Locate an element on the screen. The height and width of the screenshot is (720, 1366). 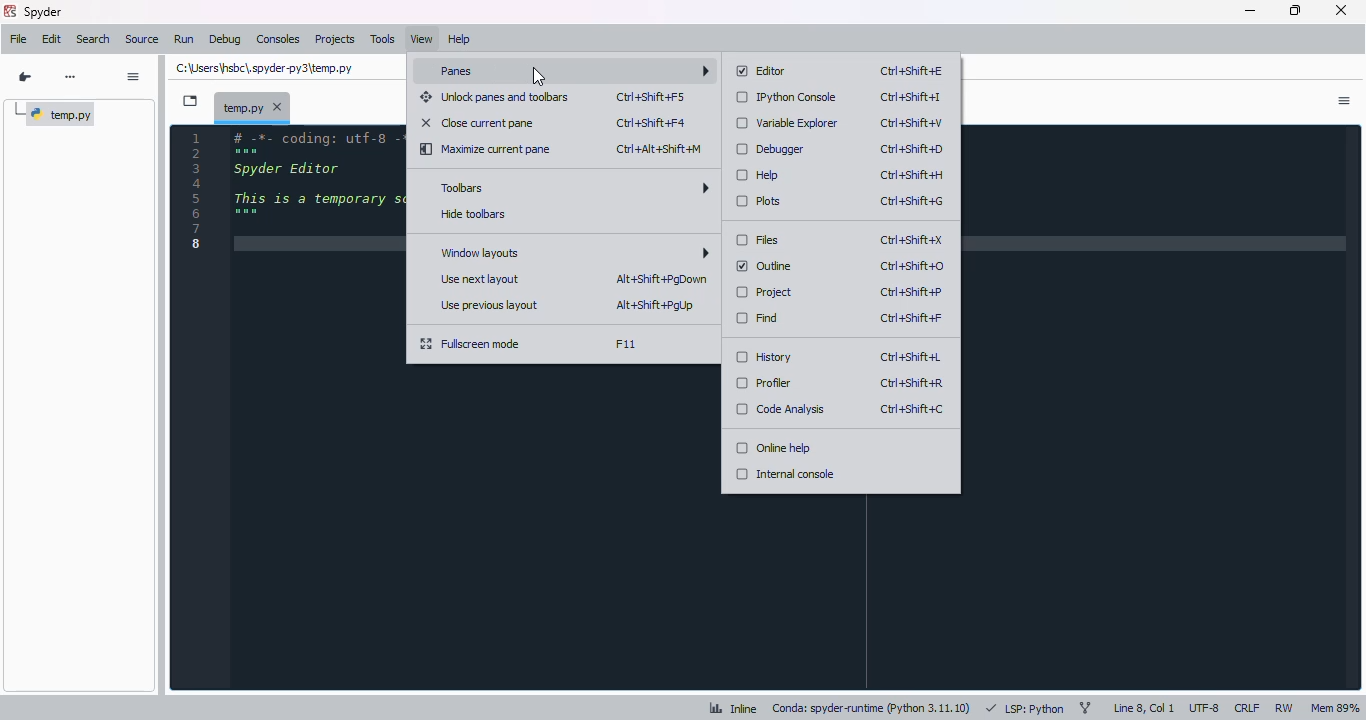
code analysis is located at coordinates (779, 409).